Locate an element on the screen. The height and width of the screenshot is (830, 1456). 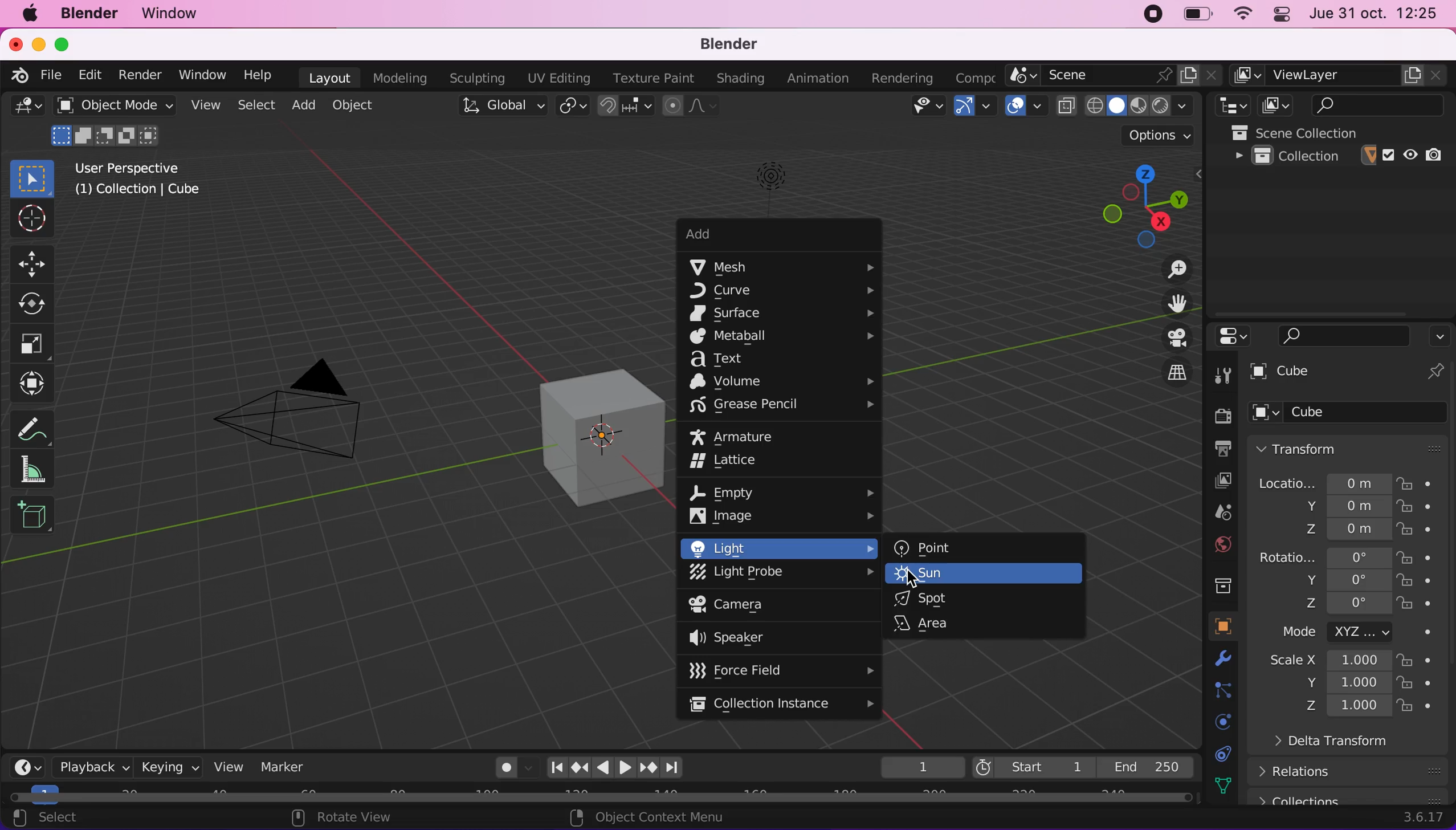
texture paint is located at coordinates (649, 78).